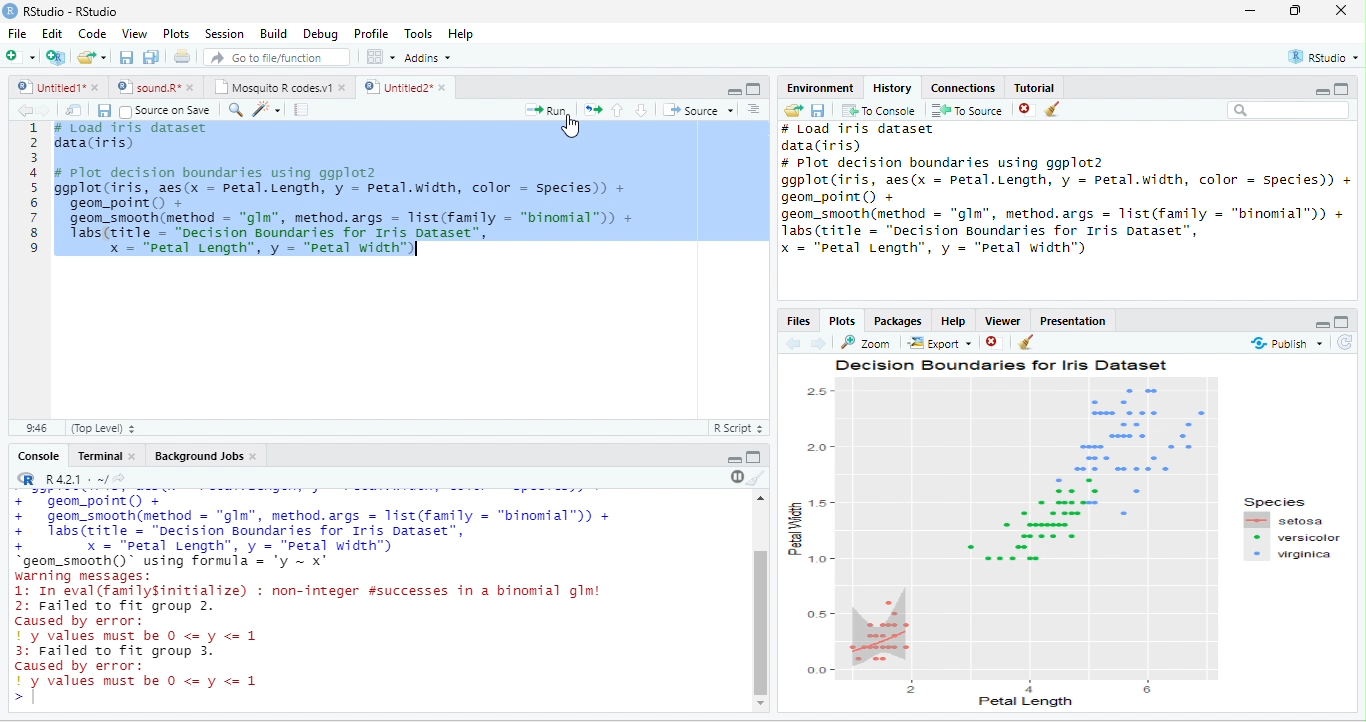  I want to click on clear, so click(1027, 342).